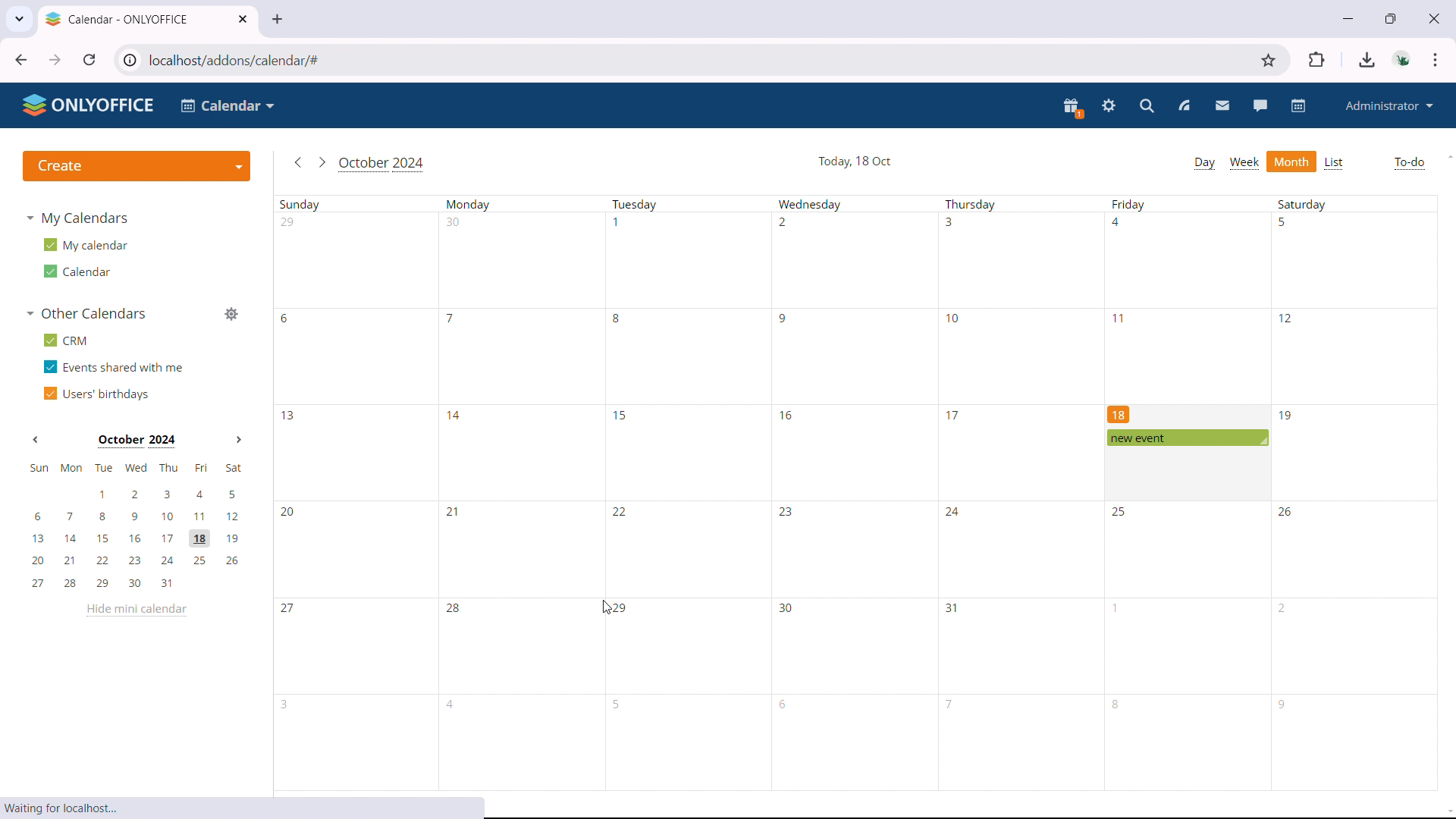 The image size is (1456, 819). I want to click on 6, so click(286, 318).